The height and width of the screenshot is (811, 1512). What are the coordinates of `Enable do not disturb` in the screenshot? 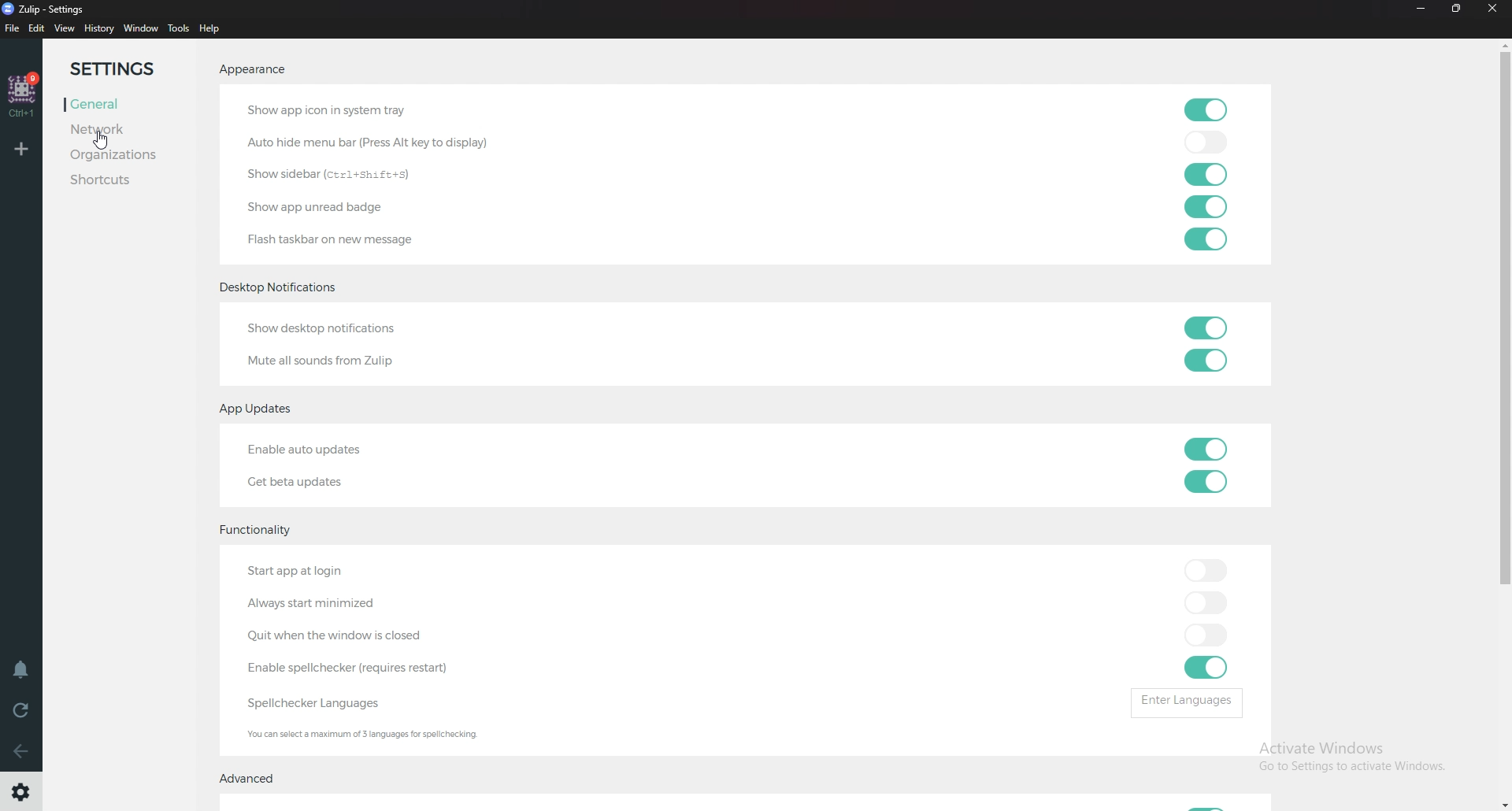 It's located at (22, 670).